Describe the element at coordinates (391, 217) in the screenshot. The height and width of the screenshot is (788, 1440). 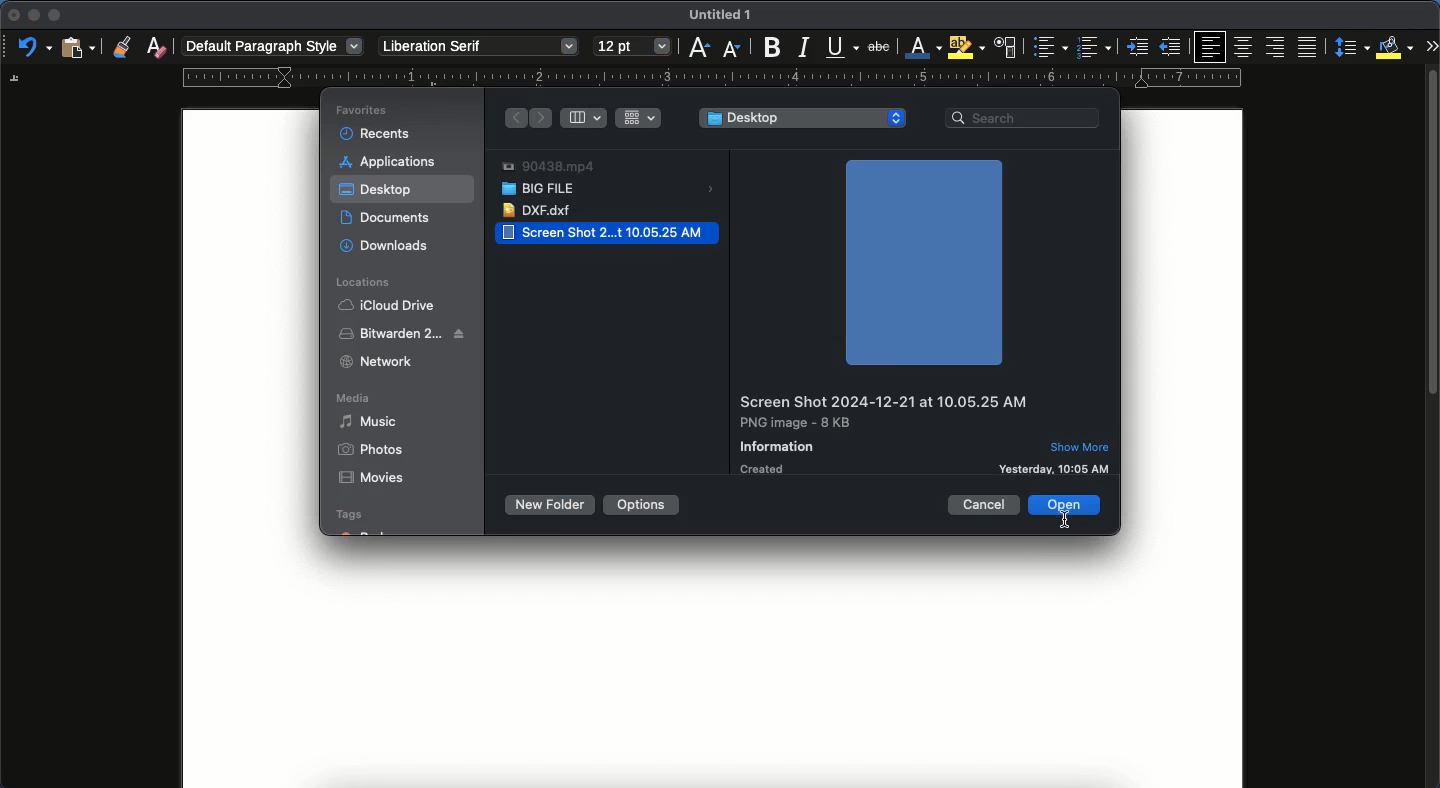
I see `documents` at that location.